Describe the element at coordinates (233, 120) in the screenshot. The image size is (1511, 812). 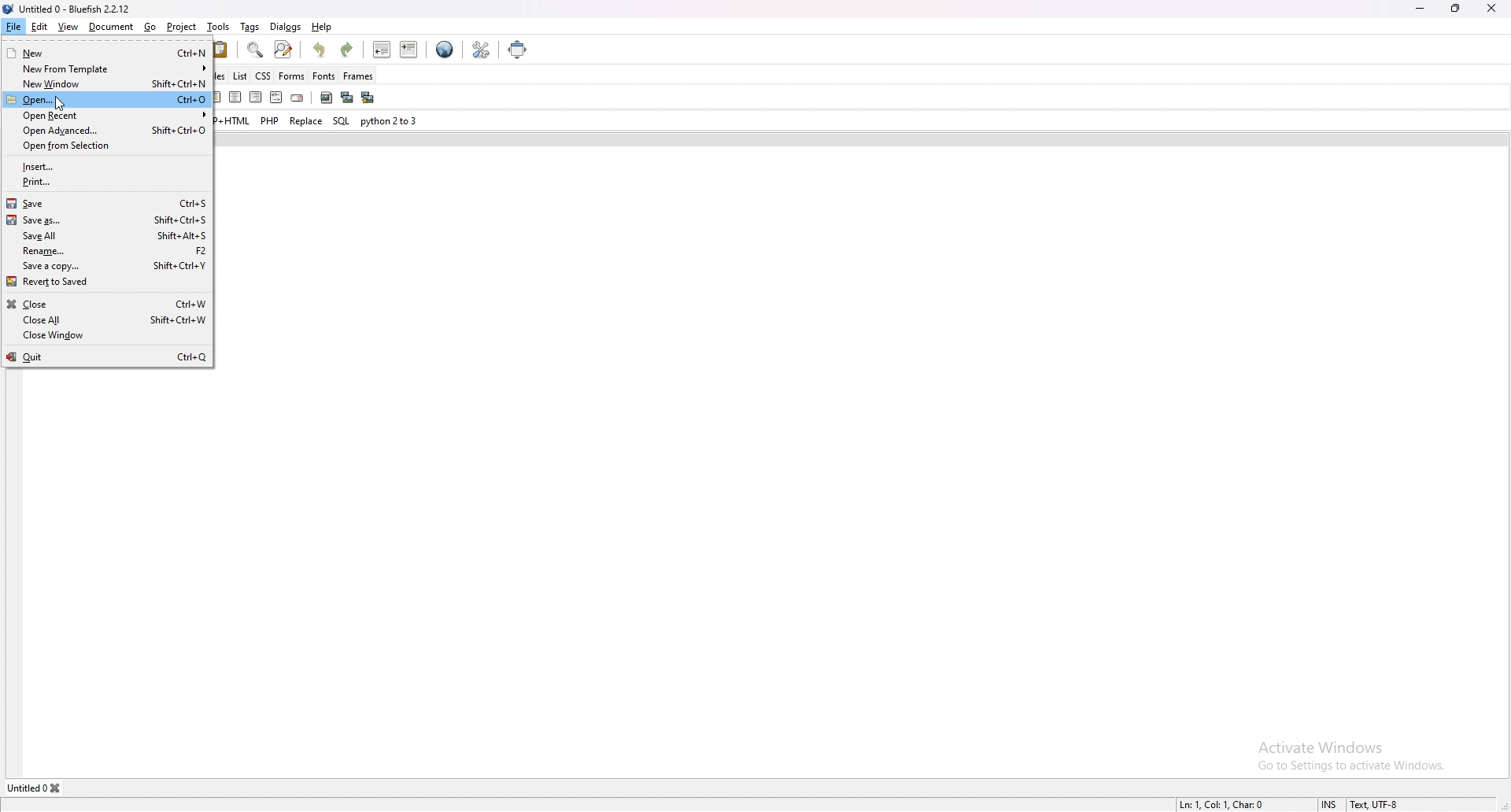
I see `php+html` at that location.